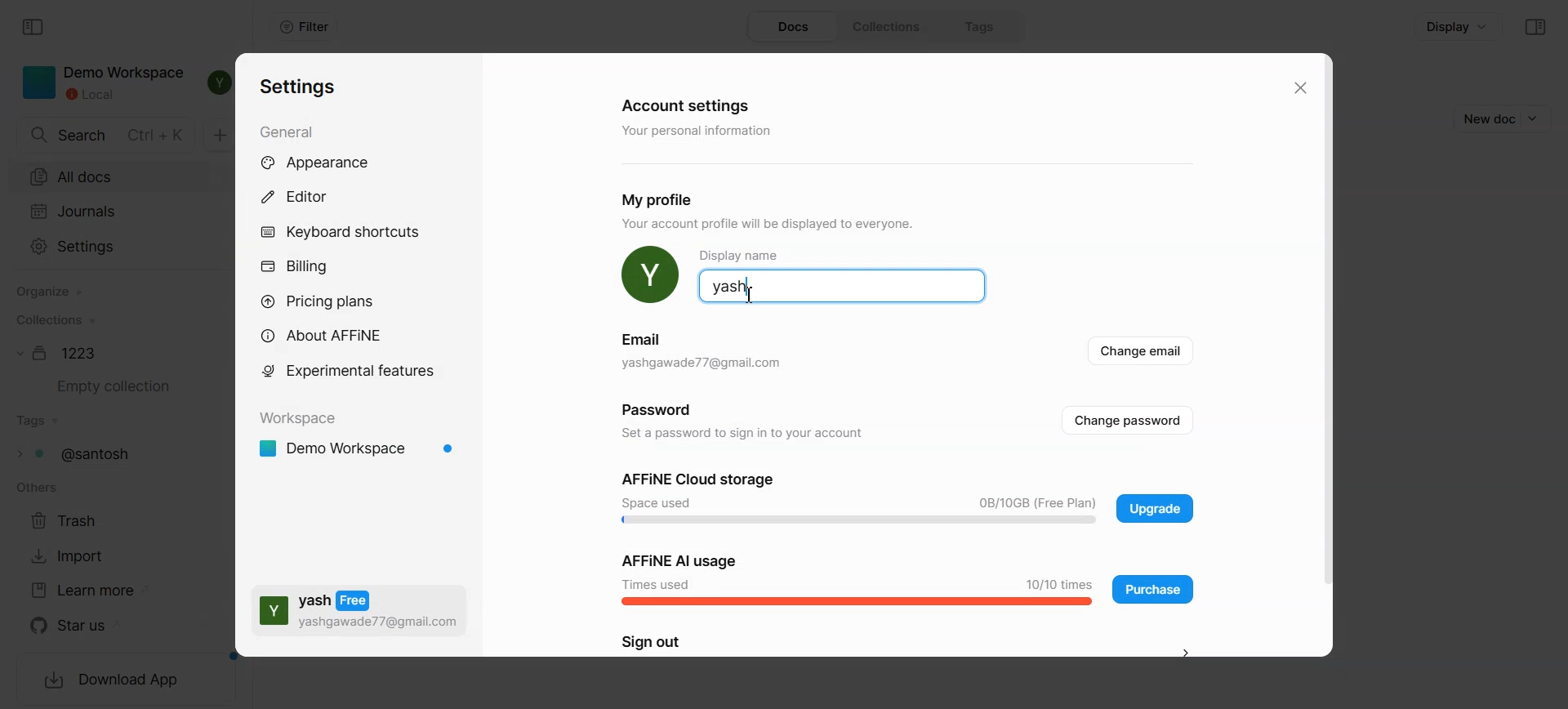  Describe the element at coordinates (305, 196) in the screenshot. I see `Editor` at that location.